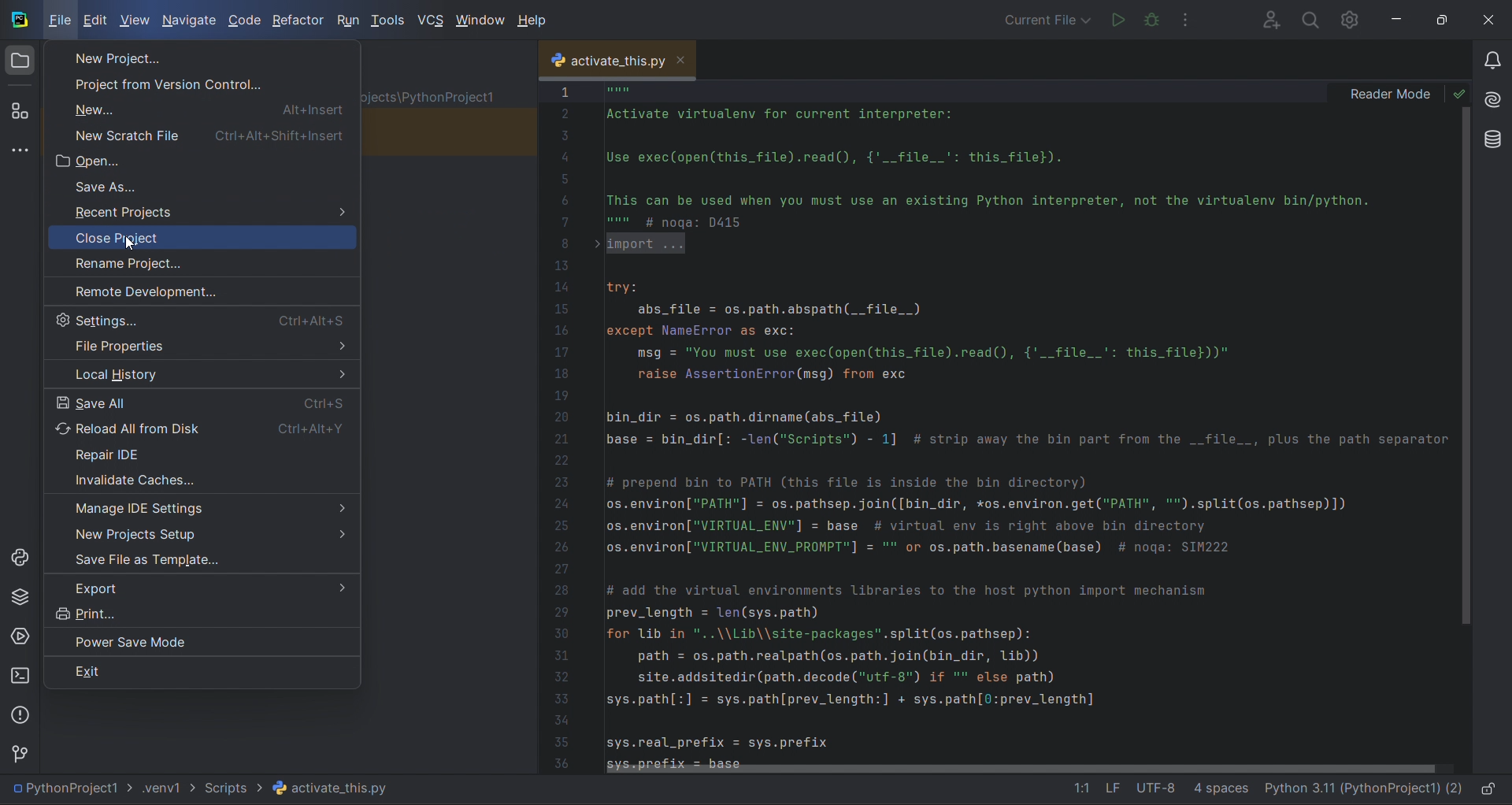 The height and width of the screenshot is (805, 1512). I want to click on reload, so click(202, 426).